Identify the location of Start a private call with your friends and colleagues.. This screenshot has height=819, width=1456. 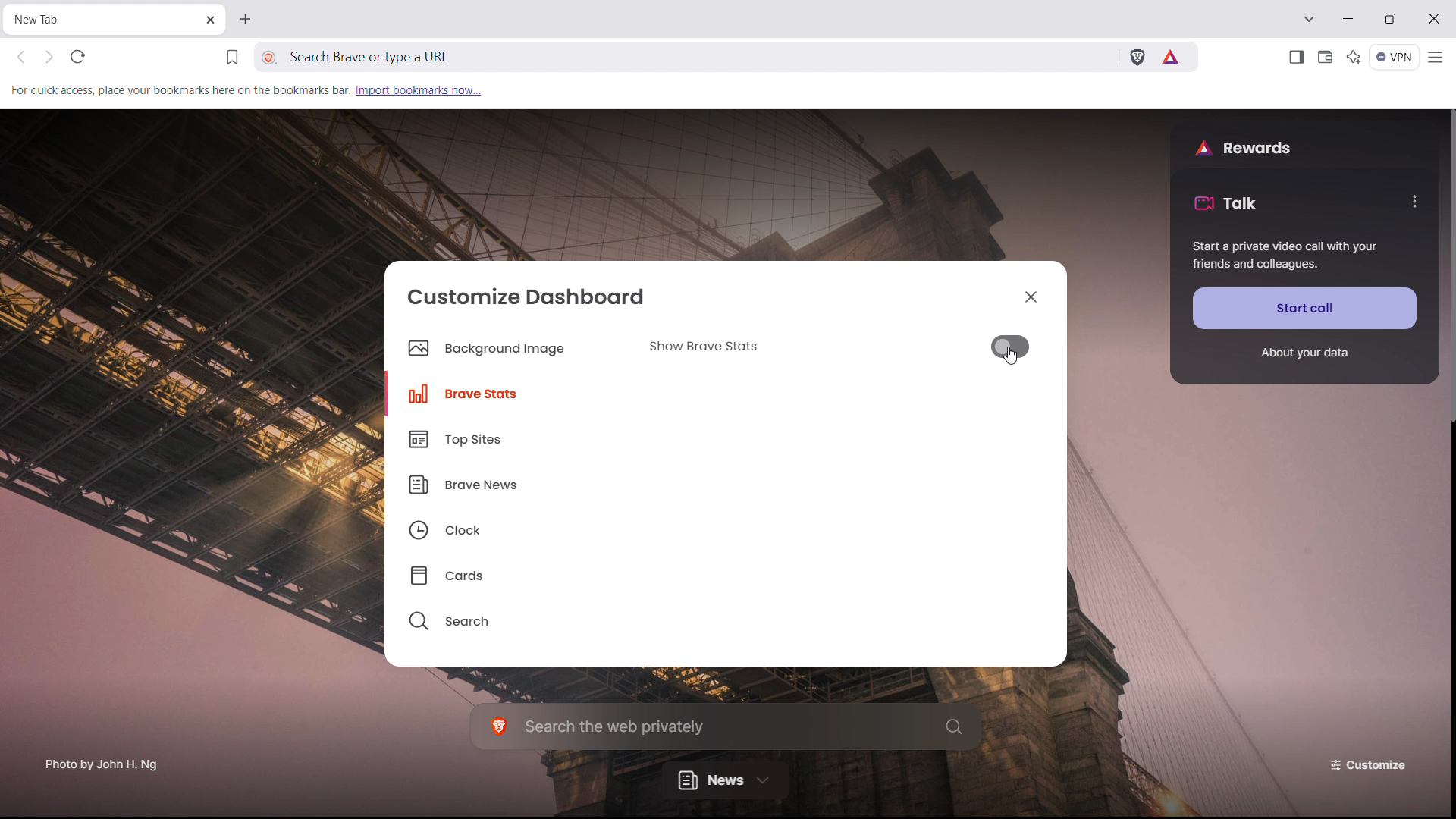
(1285, 256).